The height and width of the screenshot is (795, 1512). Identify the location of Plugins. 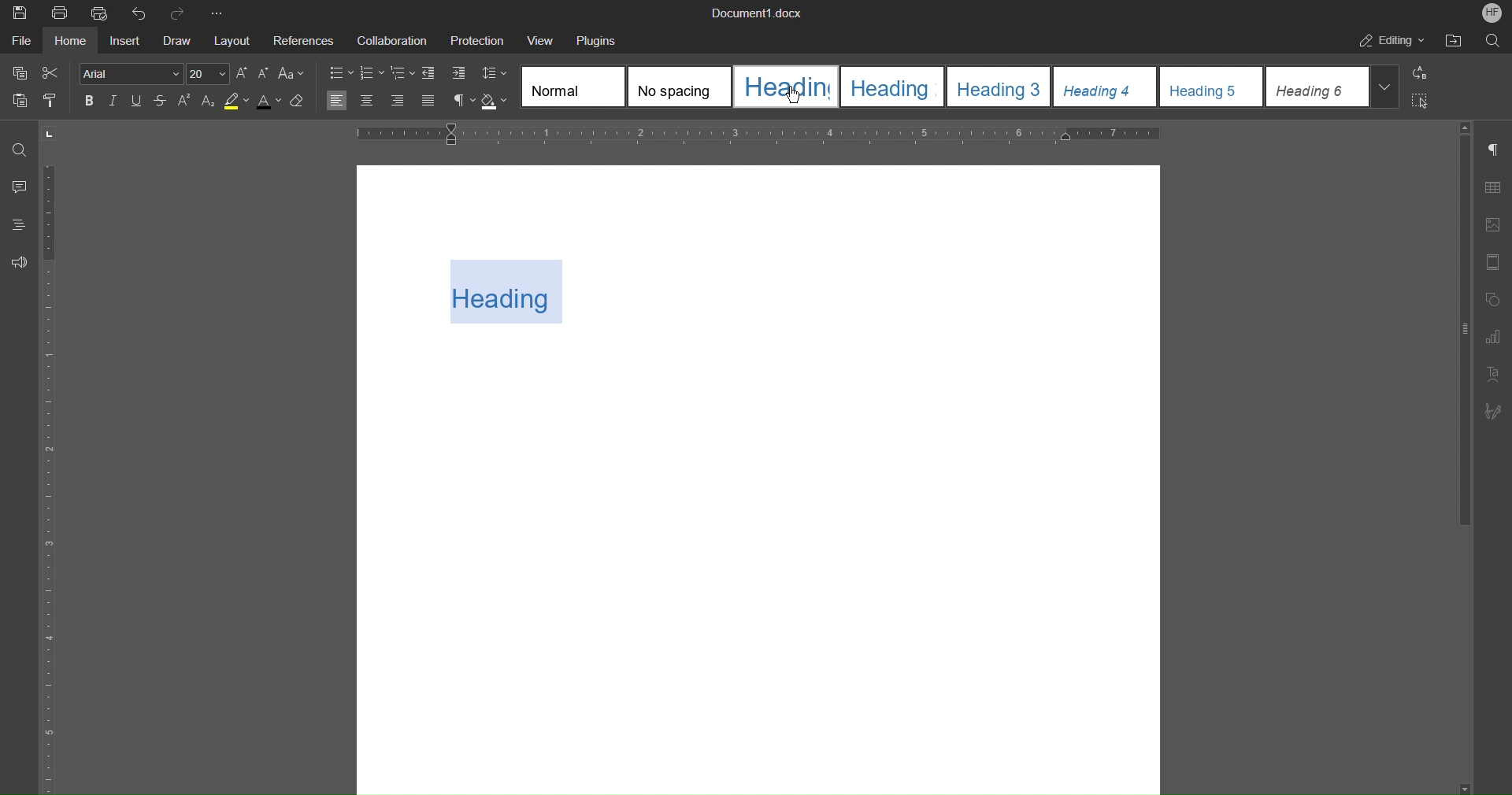
(598, 39).